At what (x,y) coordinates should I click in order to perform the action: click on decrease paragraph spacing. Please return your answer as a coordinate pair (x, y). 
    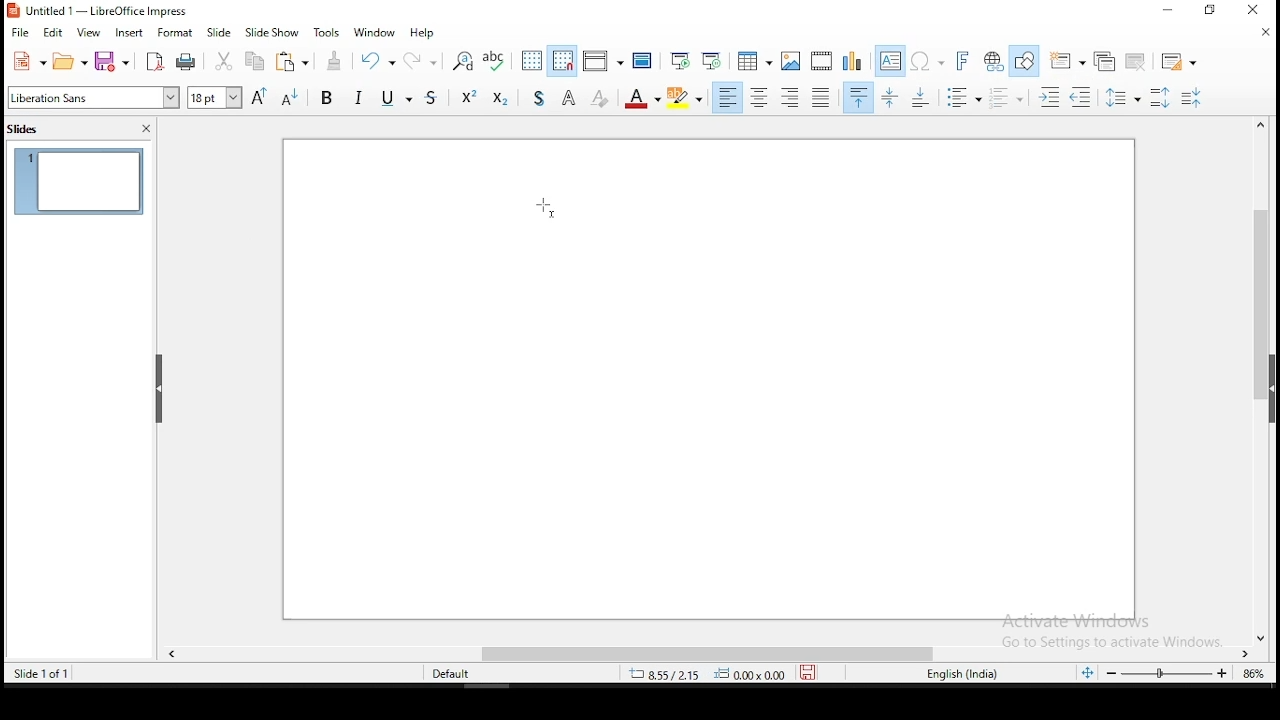
    Looking at the image, I should click on (1193, 98).